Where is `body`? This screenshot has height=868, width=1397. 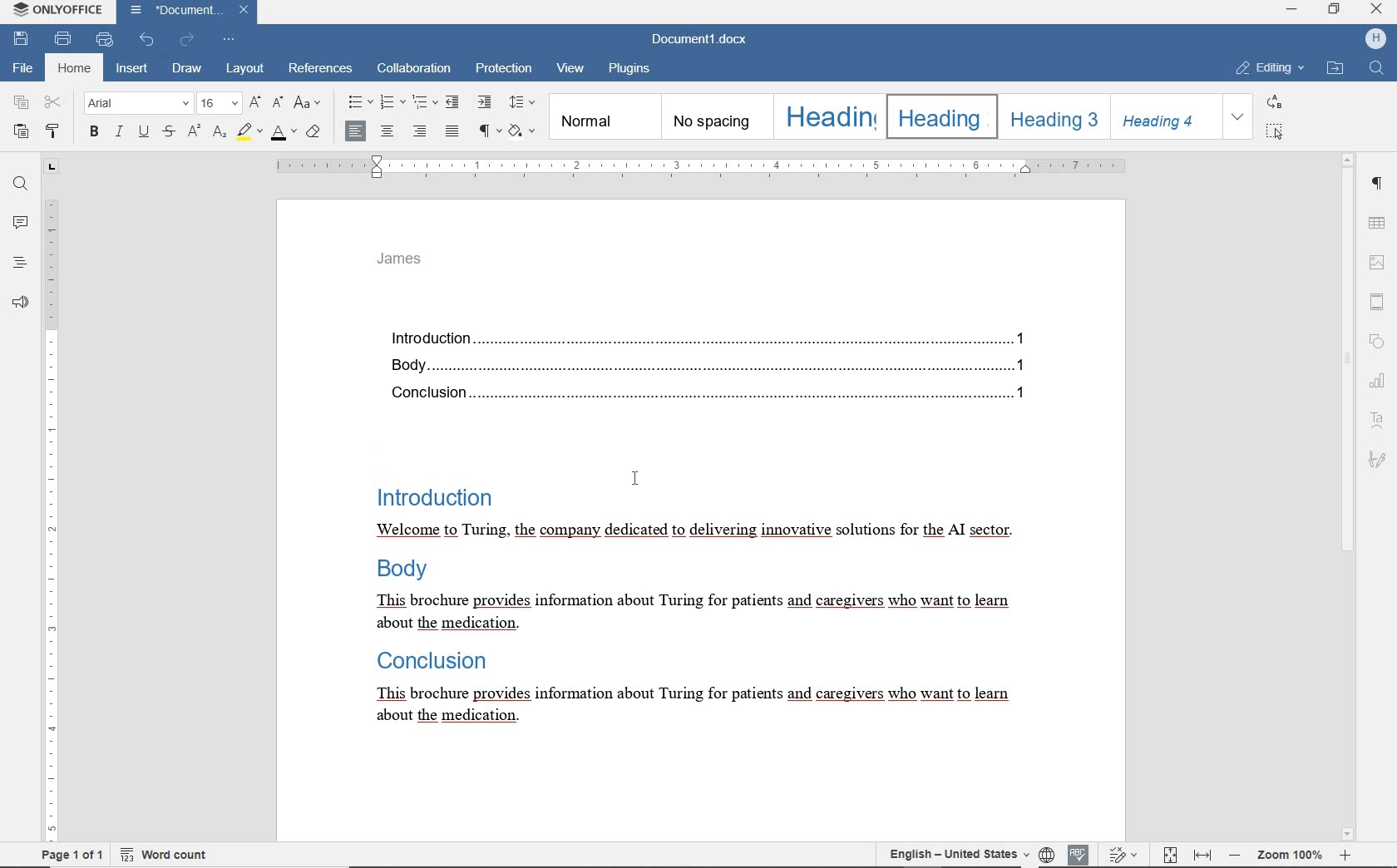
body is located at coordinates (402, 568).